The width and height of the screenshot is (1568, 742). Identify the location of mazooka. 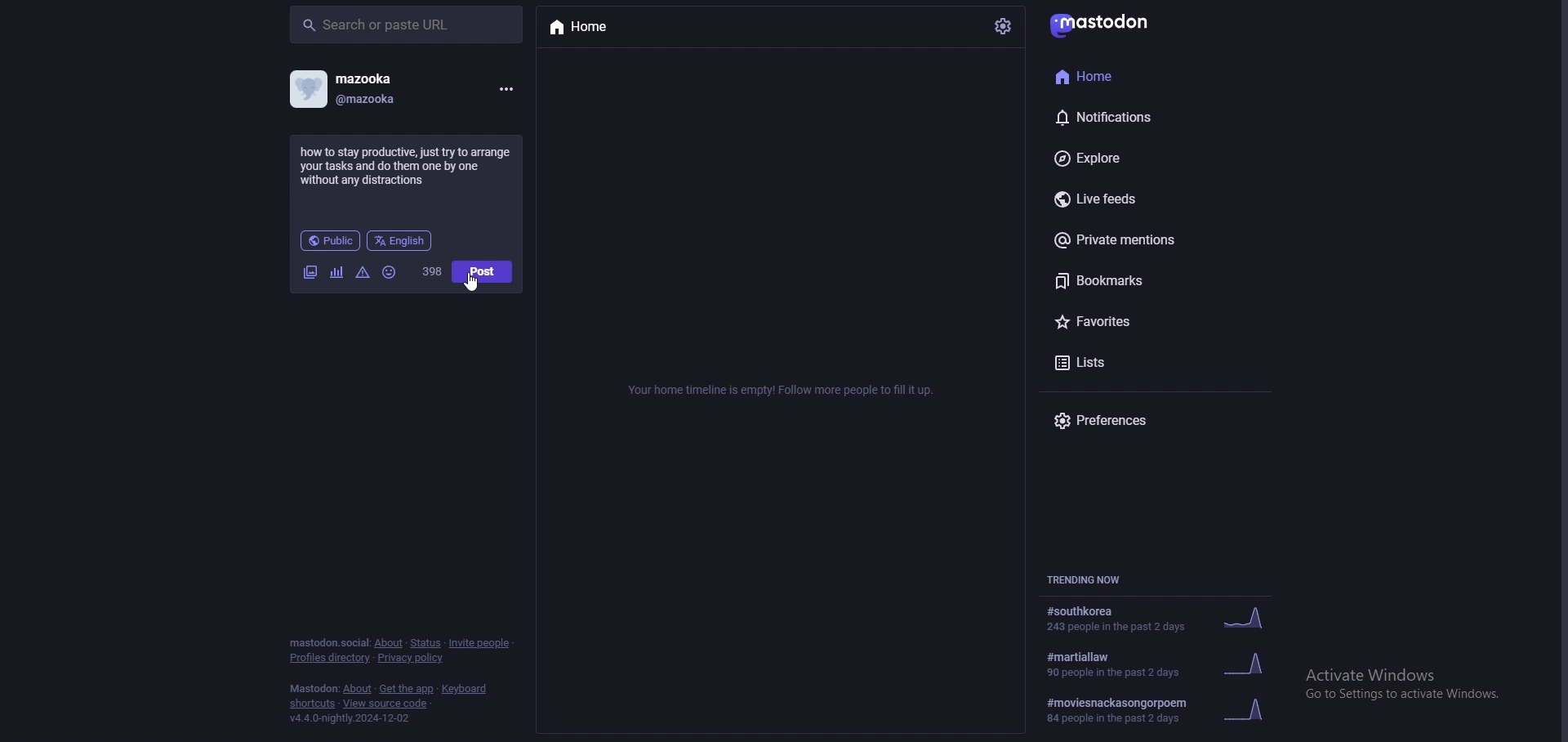
(388, 76).